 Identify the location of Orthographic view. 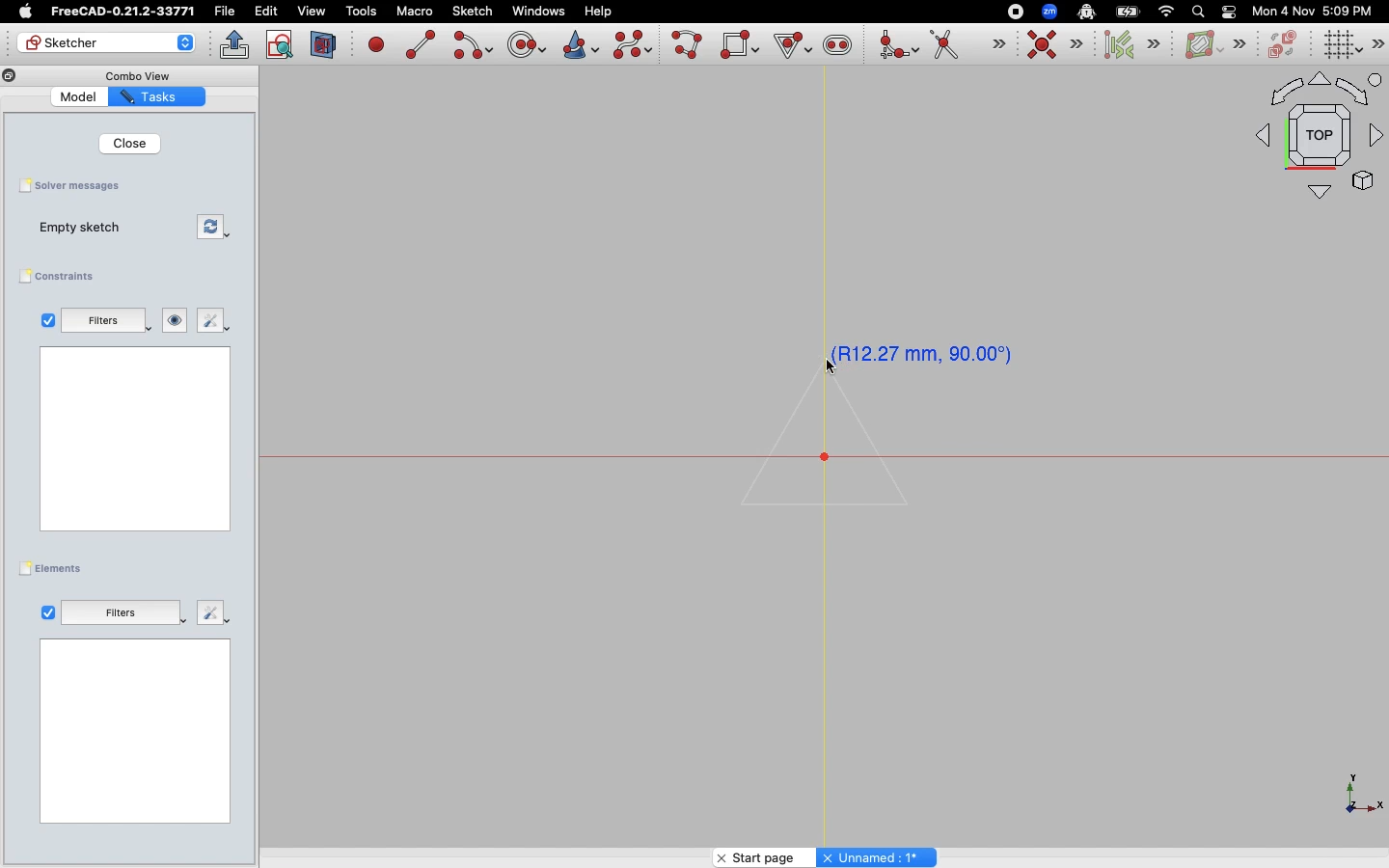
(1316, 137).